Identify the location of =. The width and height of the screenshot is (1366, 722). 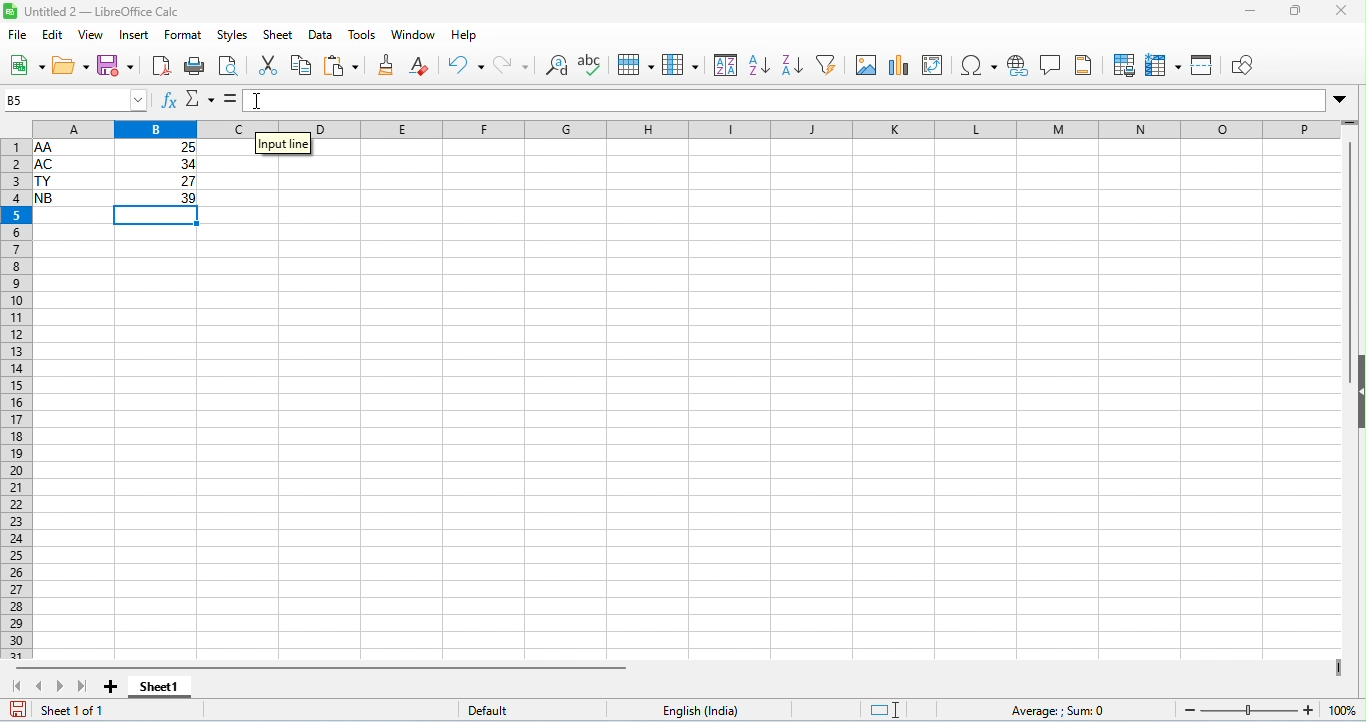
(229, 99).